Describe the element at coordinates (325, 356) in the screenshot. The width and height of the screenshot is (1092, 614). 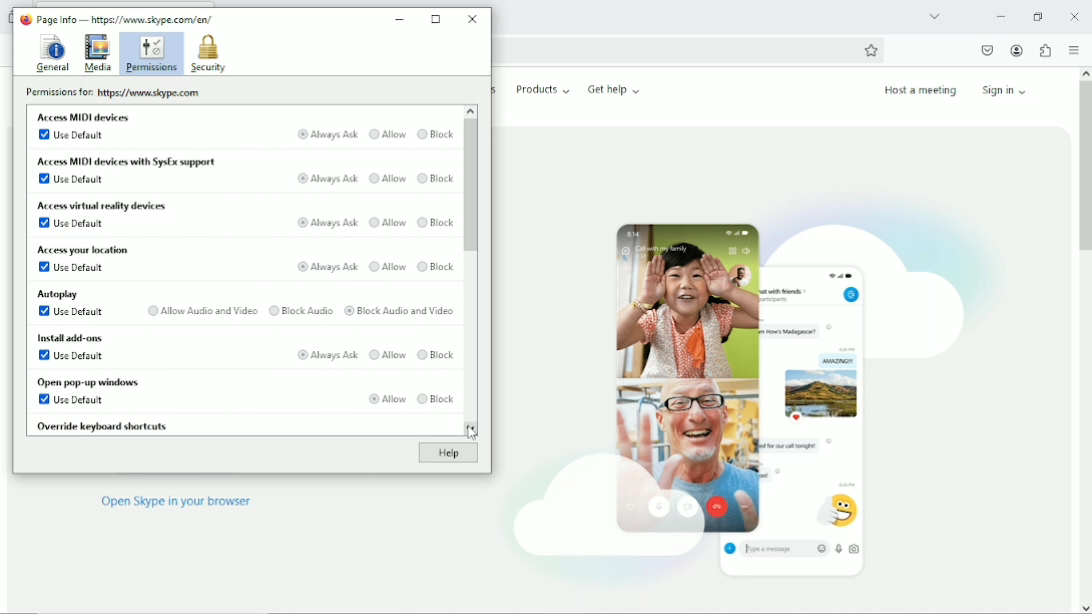
I see `Always ask` at that location.